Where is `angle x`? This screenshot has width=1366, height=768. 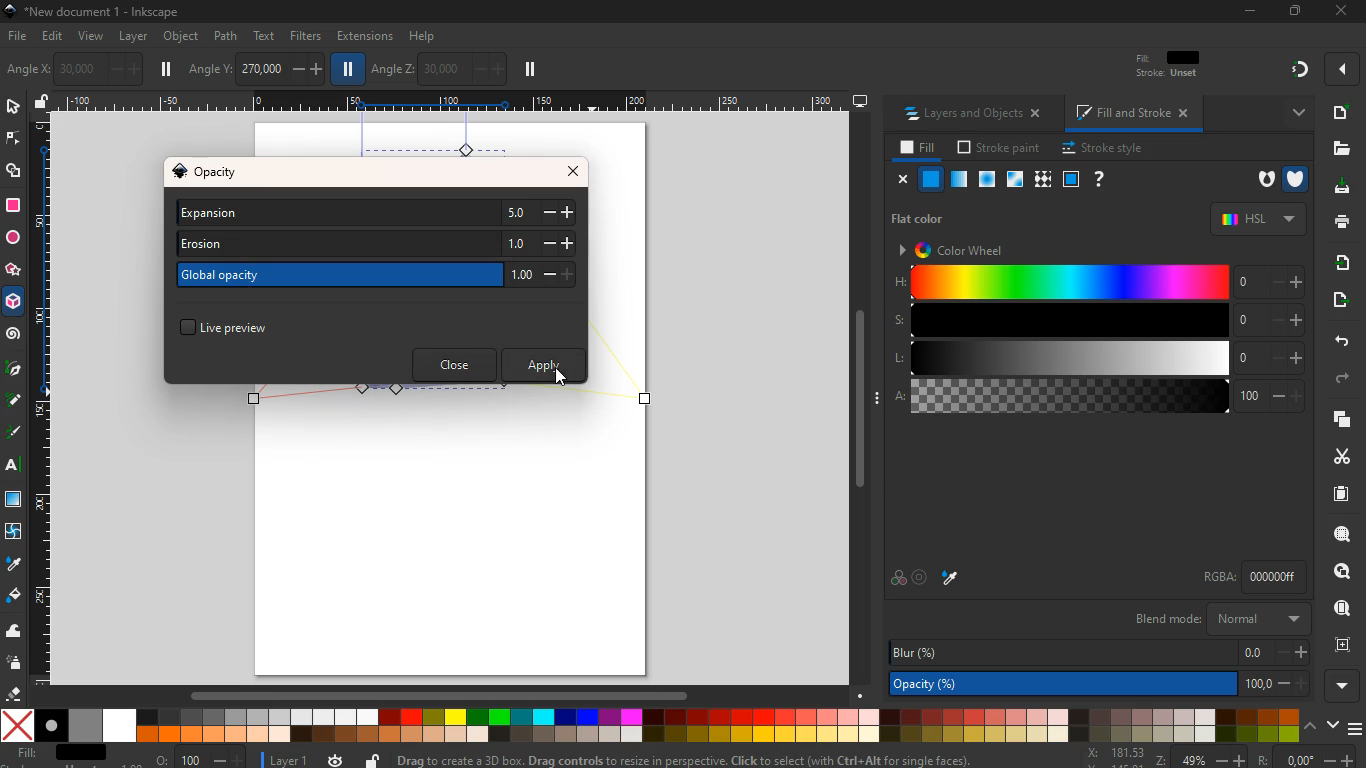
angle x is located at coordinates (89, 67).